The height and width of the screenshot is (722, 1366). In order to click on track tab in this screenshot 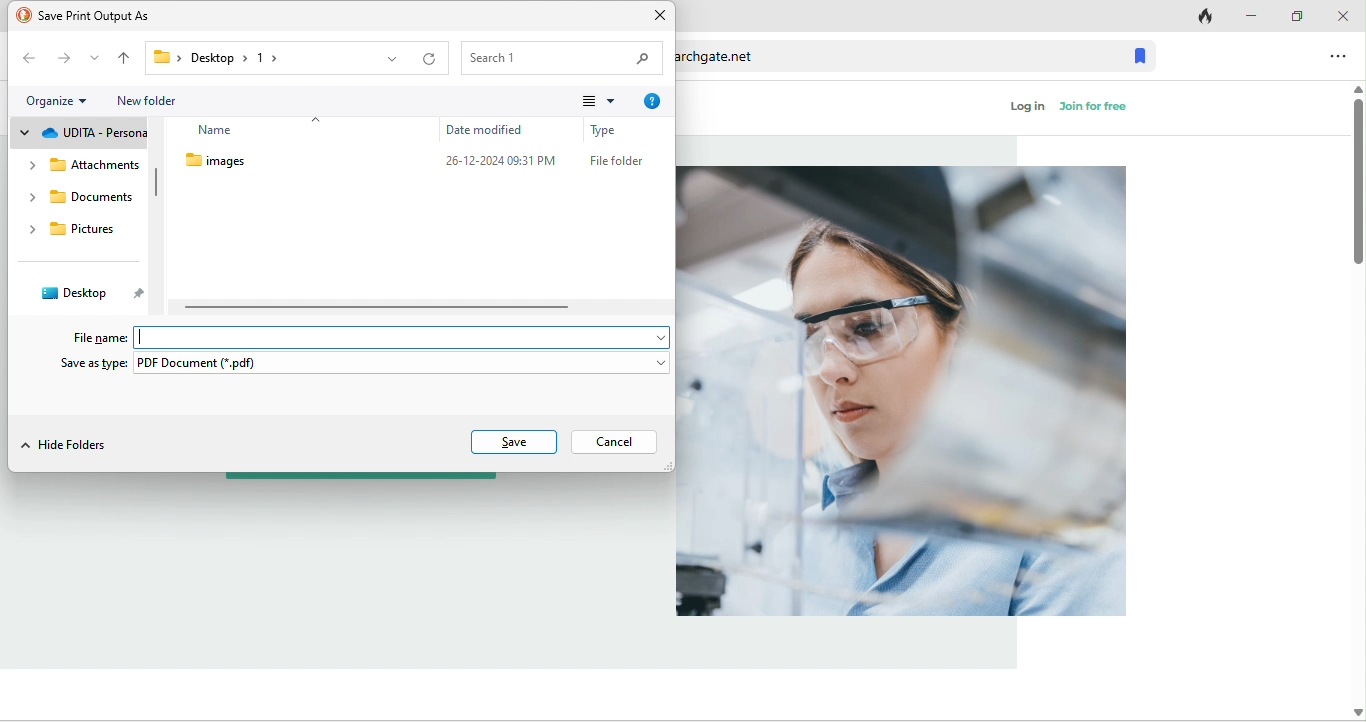, I will do `click(1197, 14)`.